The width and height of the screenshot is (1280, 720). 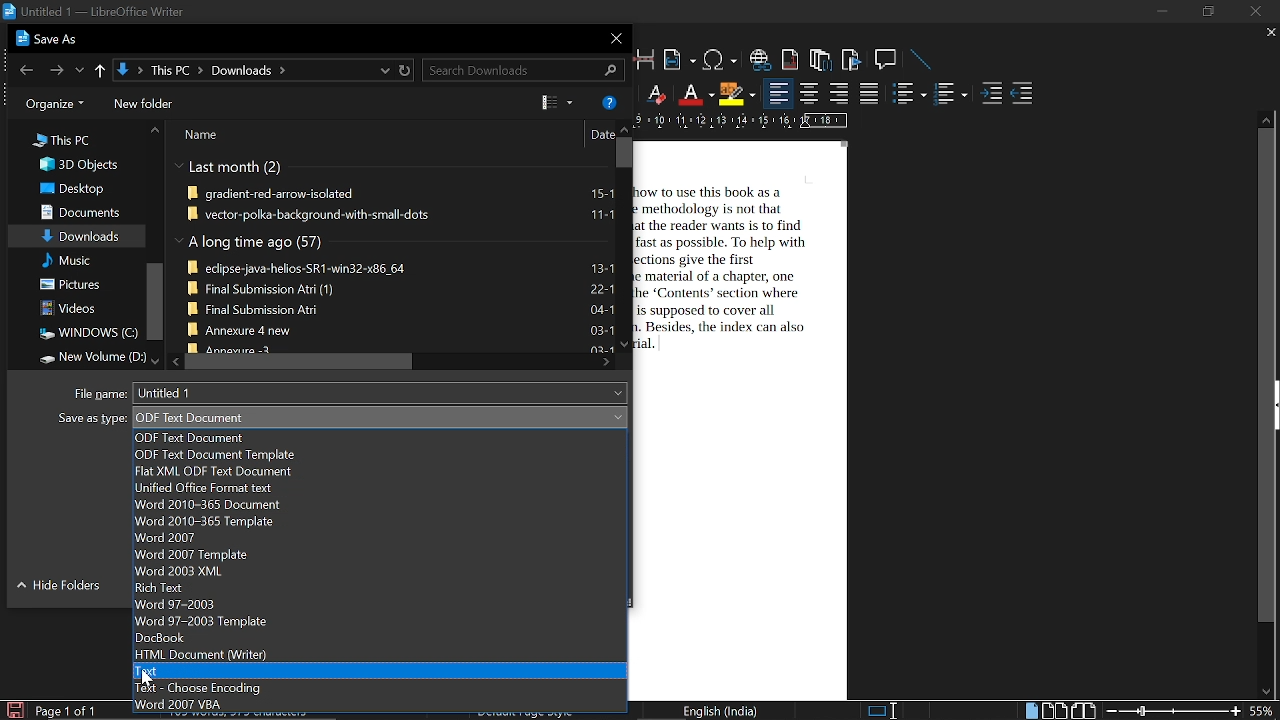 What do you see at coordinates (375, 604) in the screenshot?
I see `word 97-2003 template` at bounding box center [375, 604].